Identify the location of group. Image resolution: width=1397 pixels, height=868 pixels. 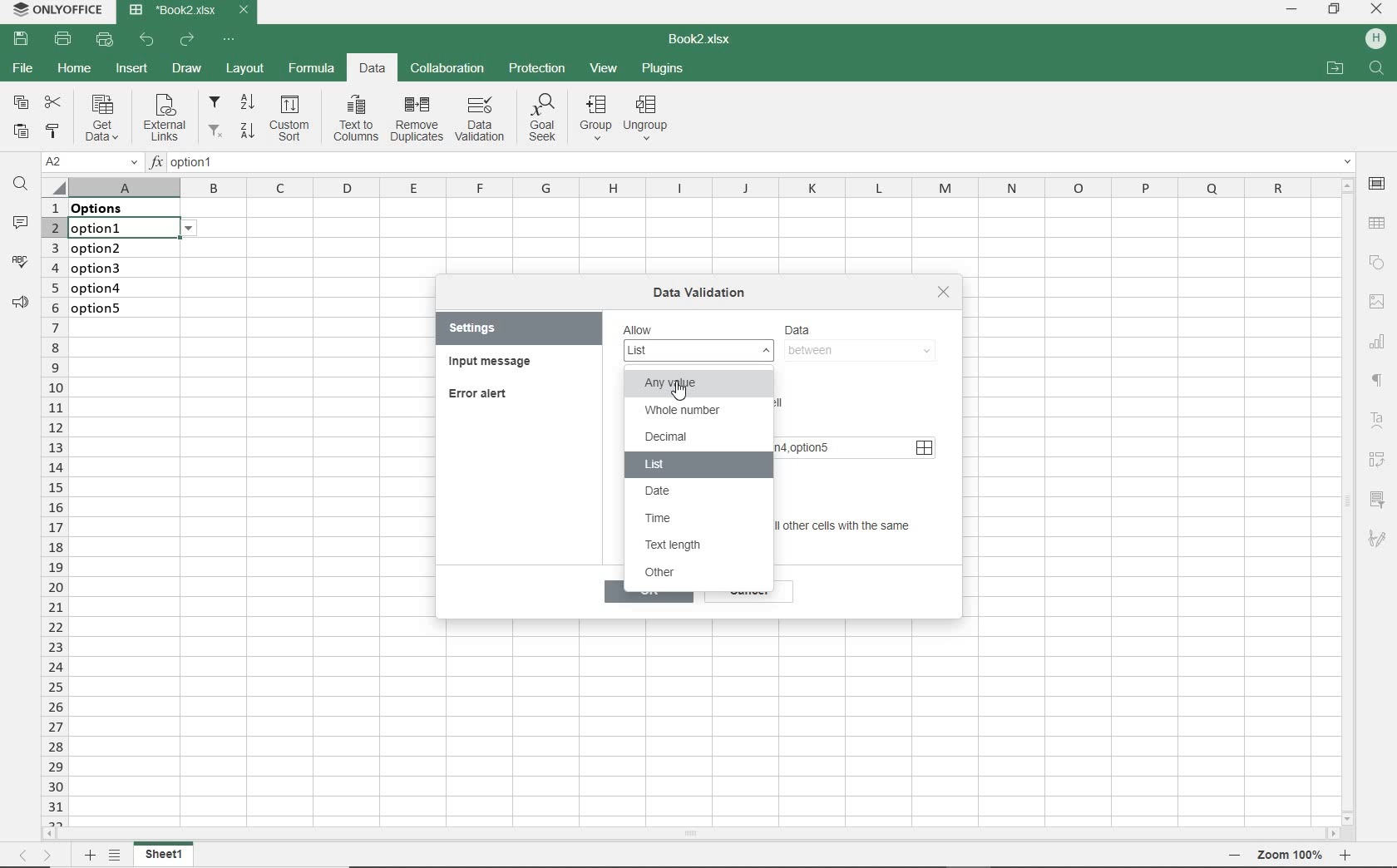
(597, 120).